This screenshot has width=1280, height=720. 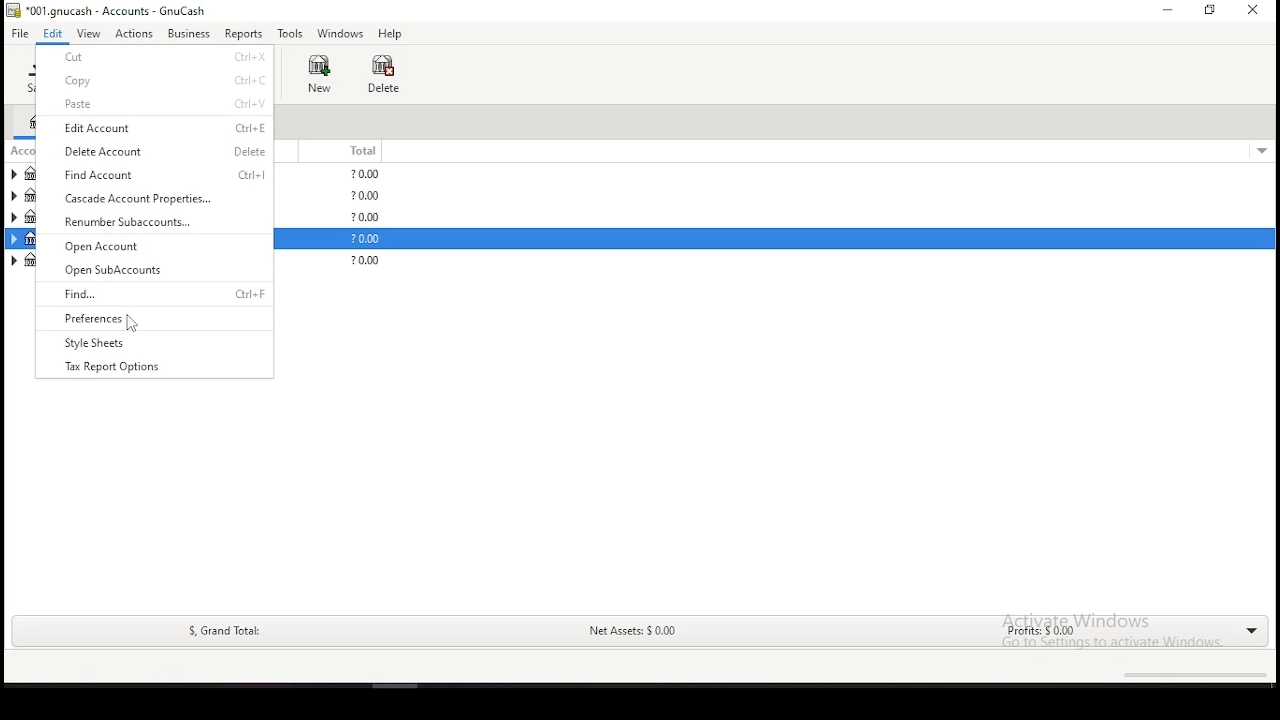 I want to click on reports, so click(x=243, y=34).